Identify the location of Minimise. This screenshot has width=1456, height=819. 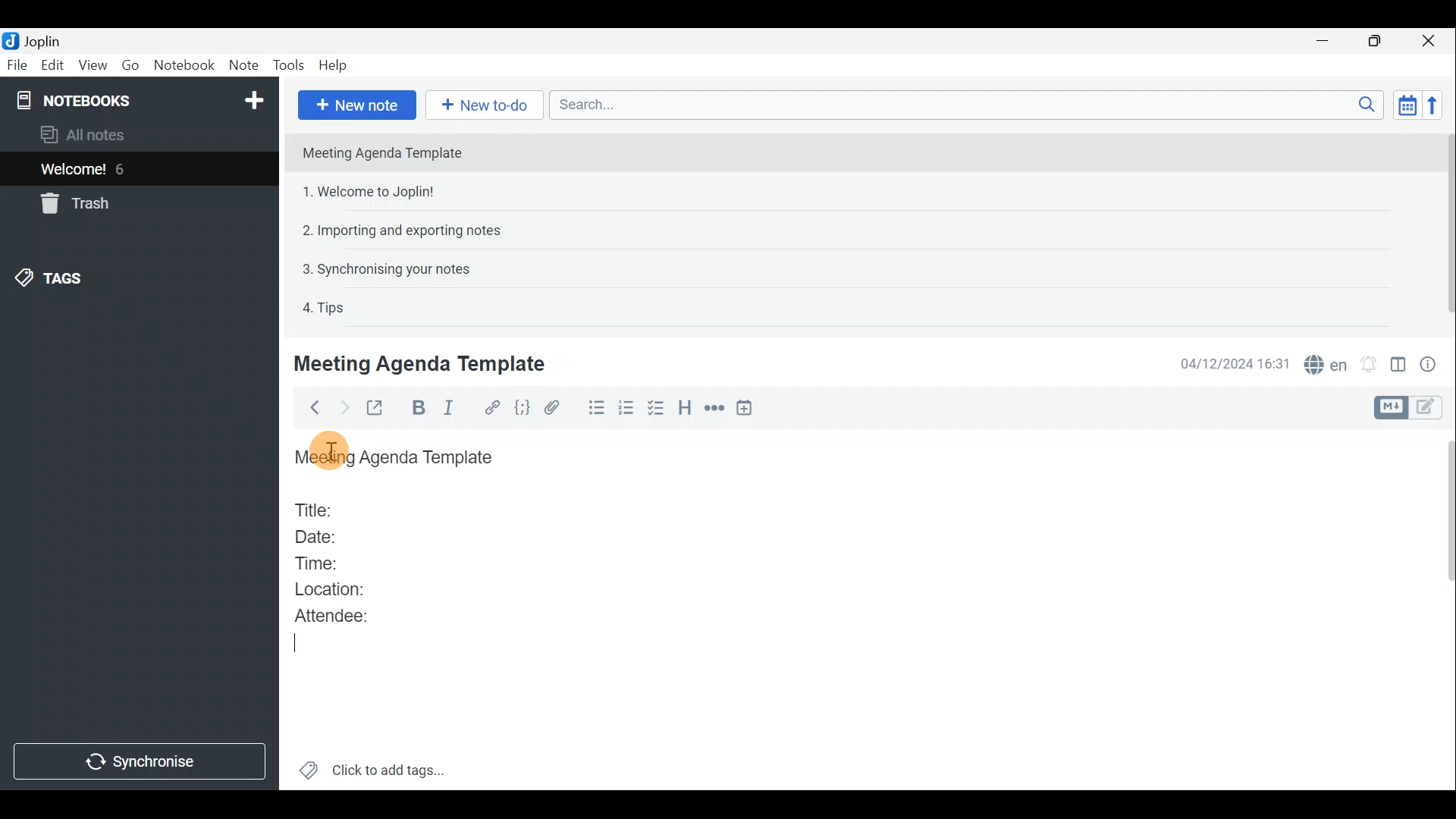
(1325, 40).